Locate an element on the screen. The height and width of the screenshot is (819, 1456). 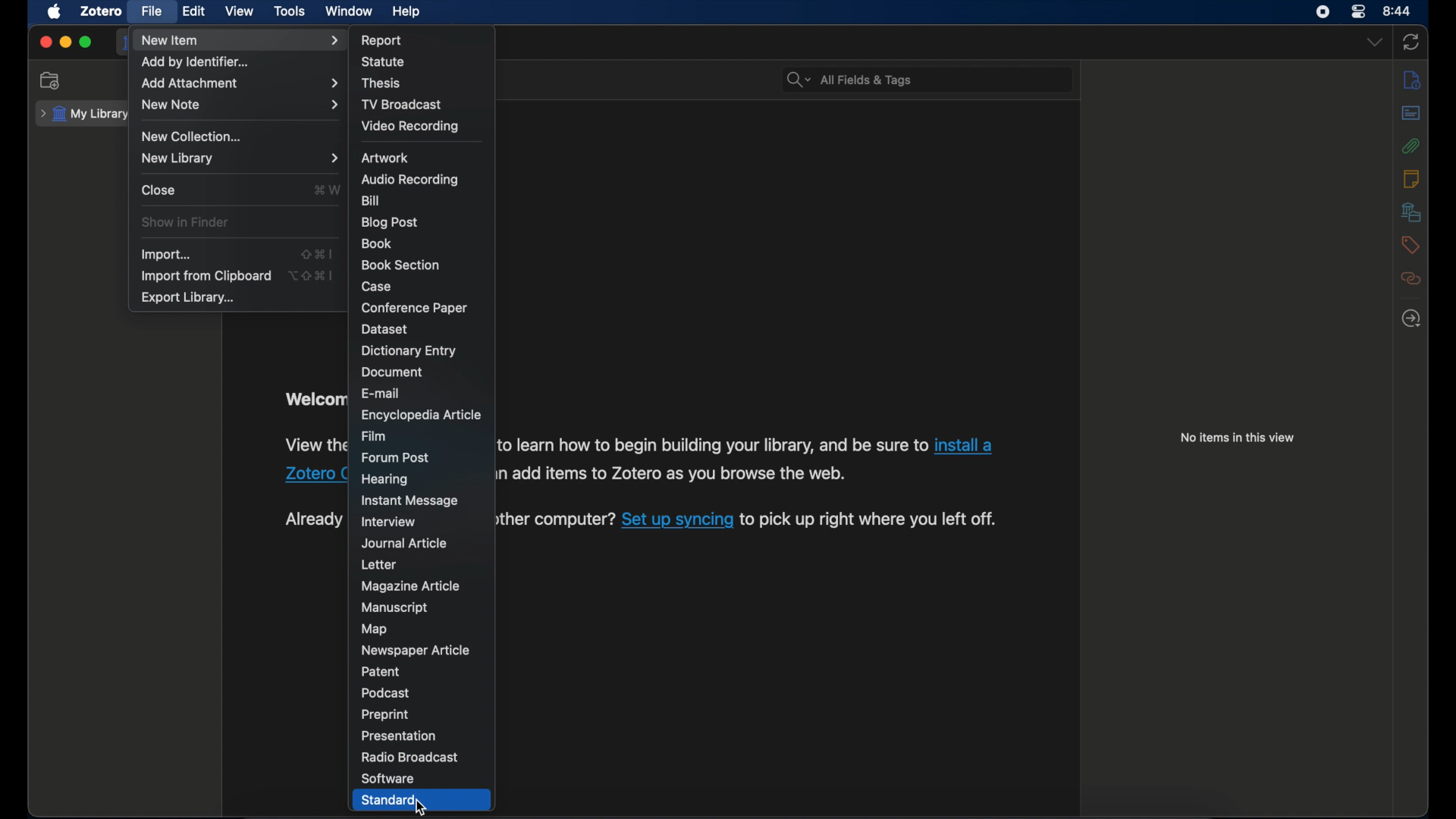
book is located at coordinates (377, 243).